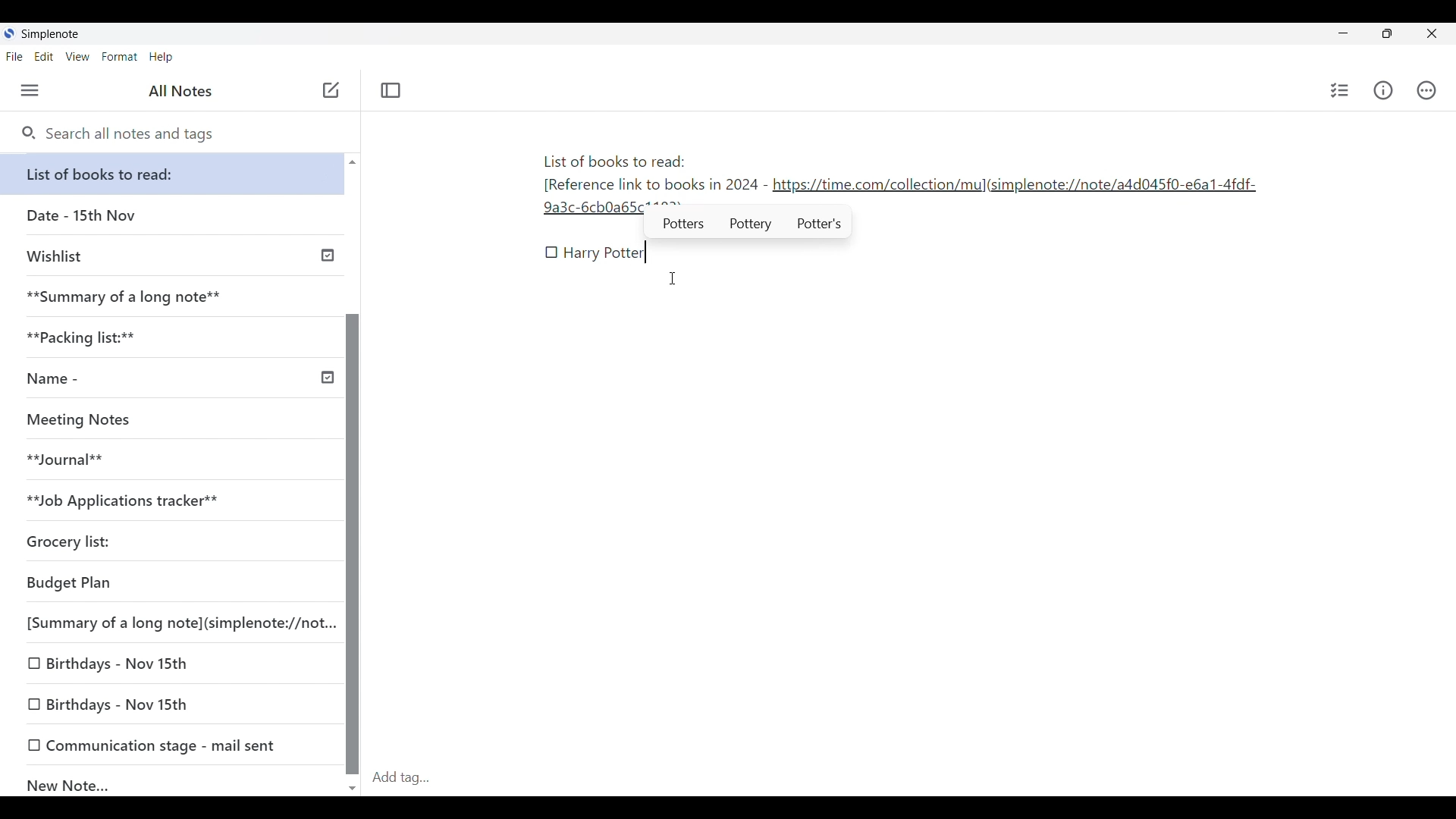 This screenshot has width=1456, height=819. Describe the element at coordinates (176, 174) in the screenshot. I see `List of books to read:` at that location.